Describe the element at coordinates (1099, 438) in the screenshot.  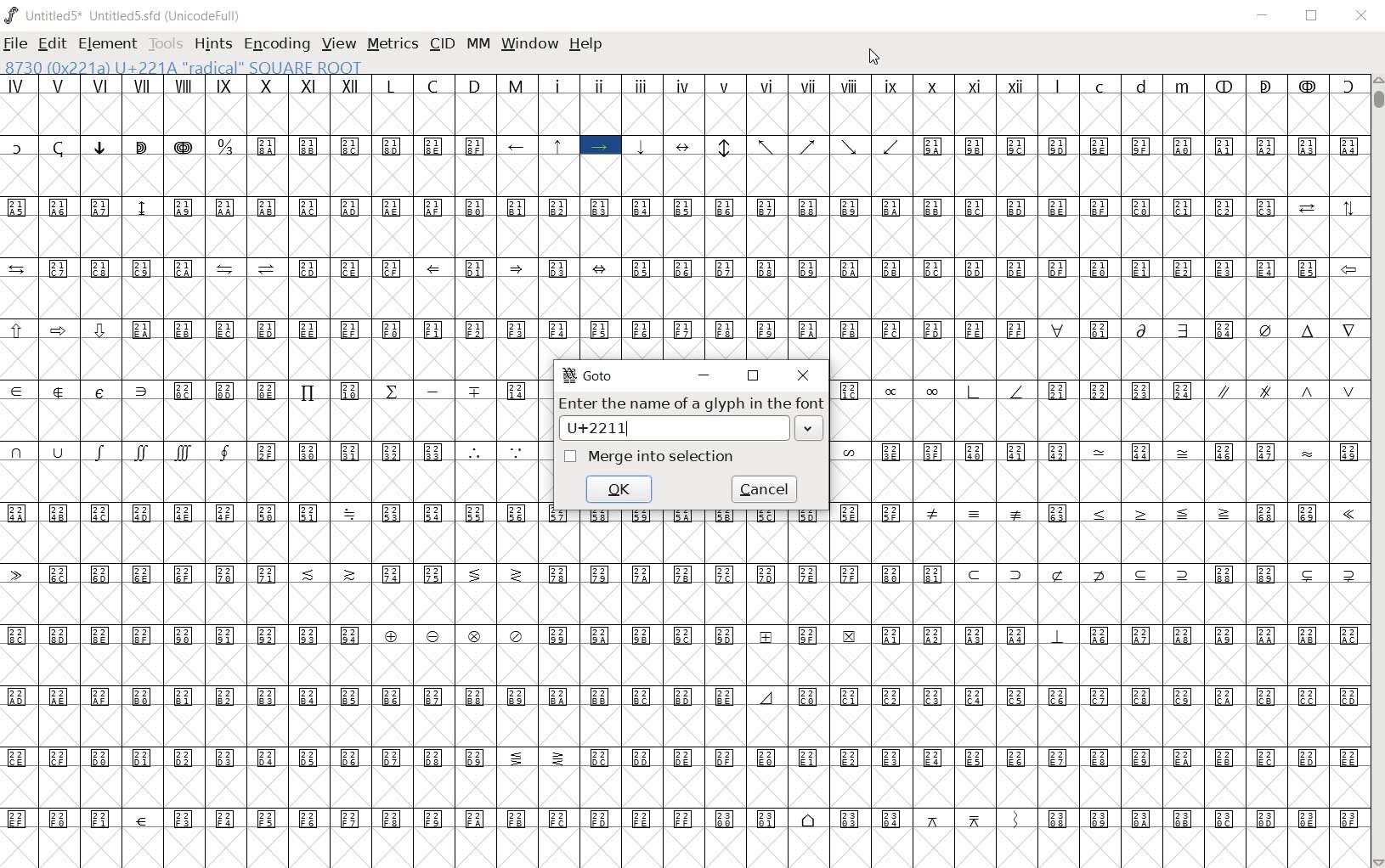
I see `glyph characters` at that location.